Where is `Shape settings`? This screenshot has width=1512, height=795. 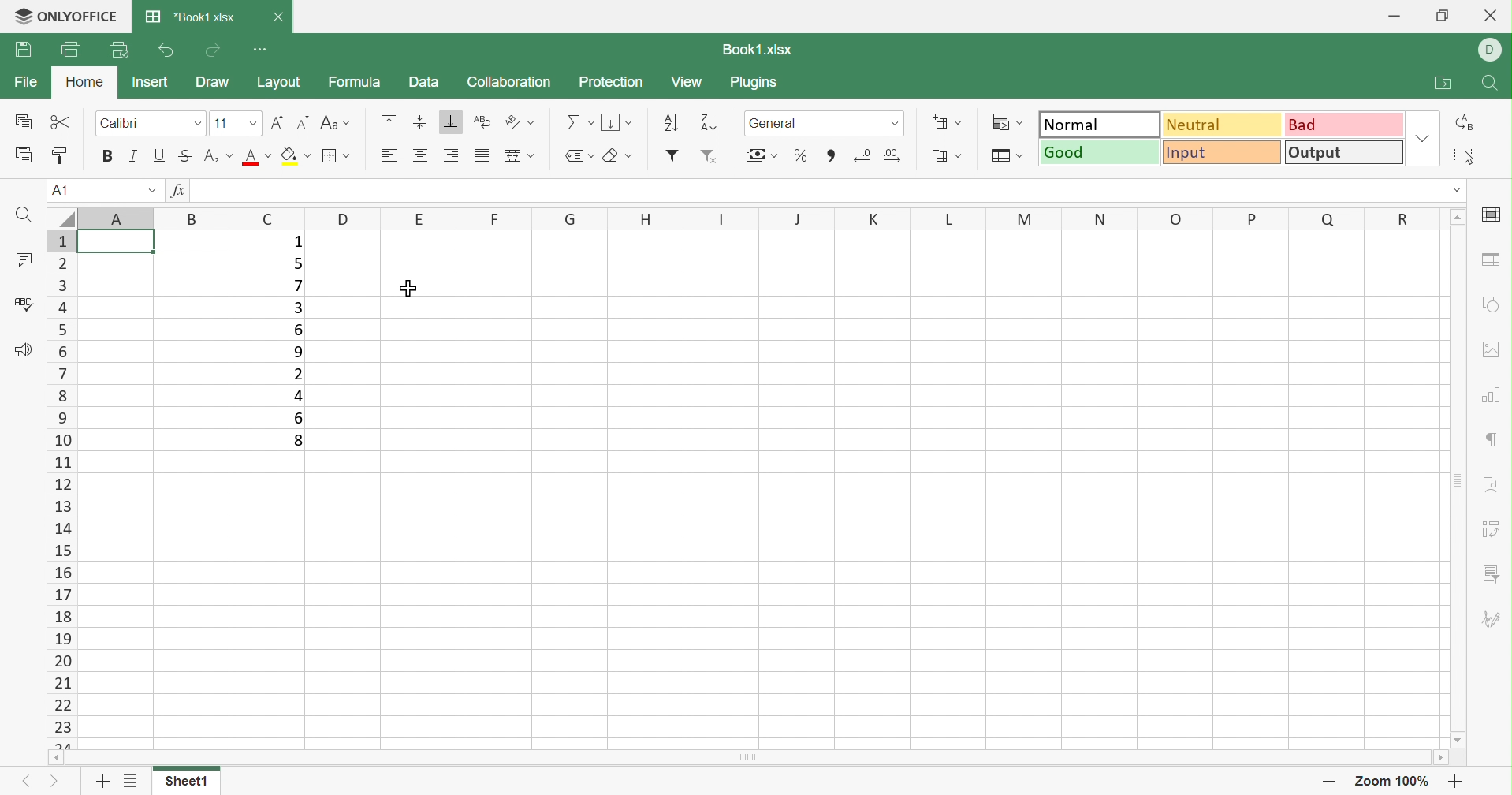
Shape settings is located at coordinates (1490, 295).